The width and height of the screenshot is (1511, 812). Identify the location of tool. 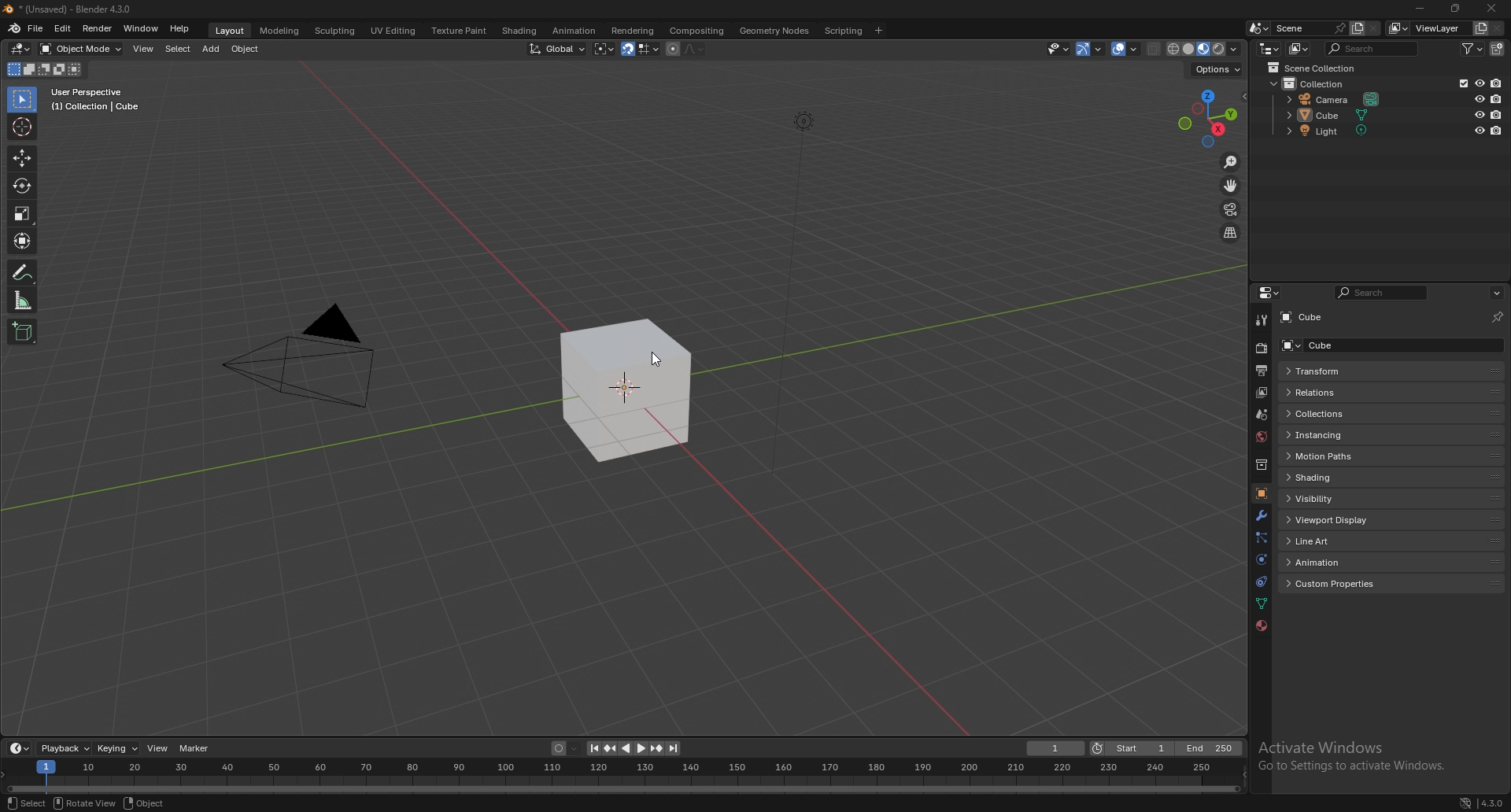
(1262, 319).